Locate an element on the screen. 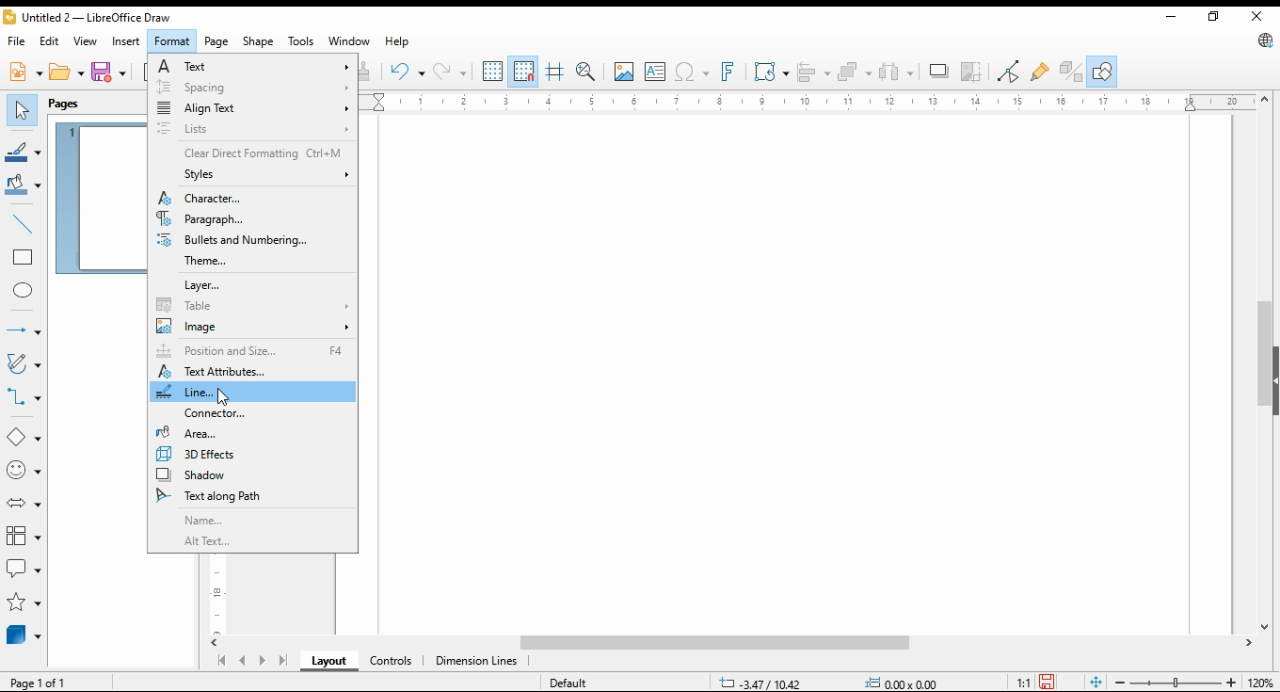 The width and height of the screenshot is (1280, 692). 3D objects is located at coordinates (25, 634).